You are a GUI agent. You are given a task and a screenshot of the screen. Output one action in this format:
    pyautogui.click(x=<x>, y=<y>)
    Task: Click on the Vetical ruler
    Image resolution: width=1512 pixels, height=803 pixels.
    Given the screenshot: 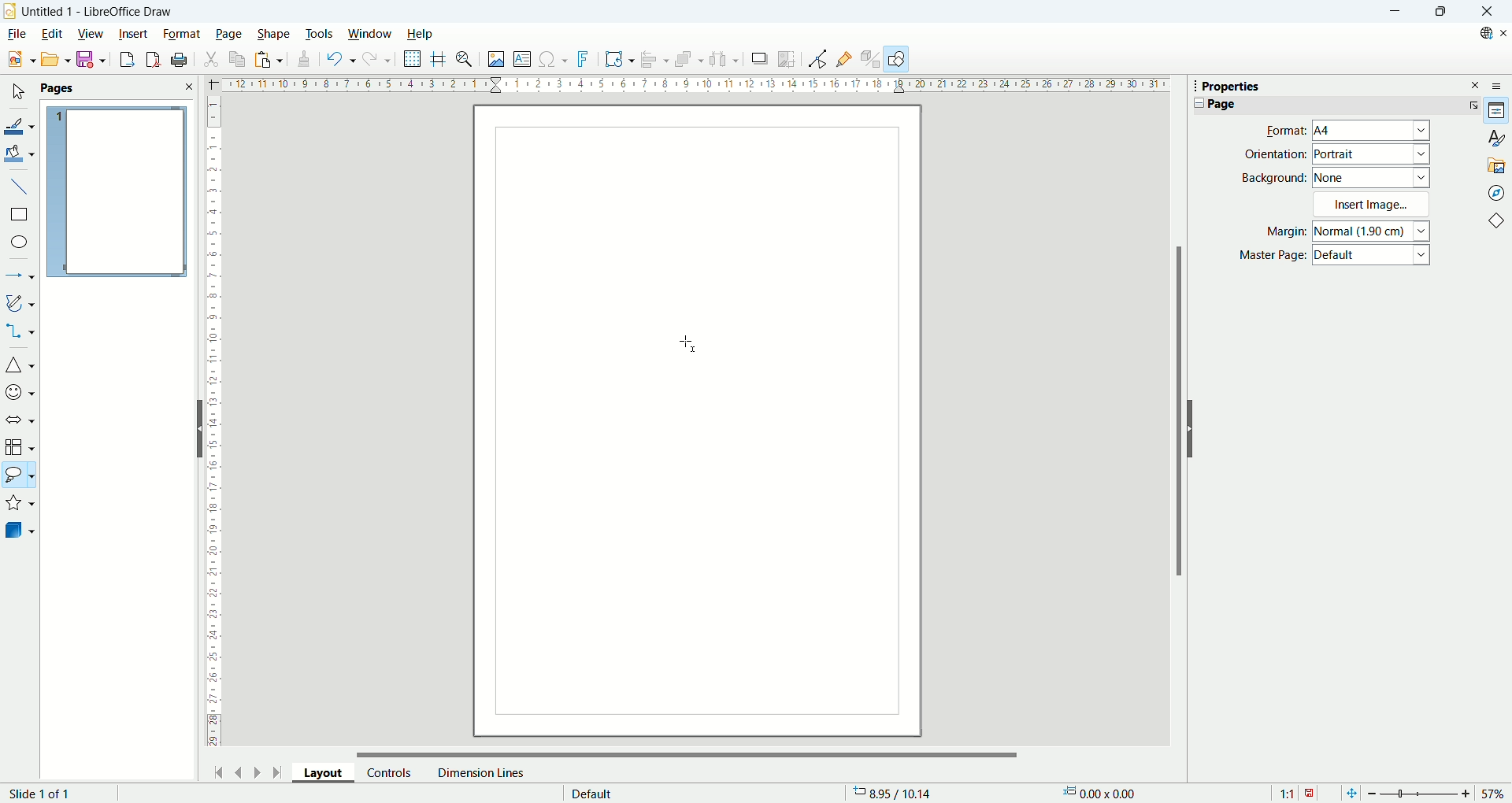 What is the action you would take?
    pyautogui.click(x=214, y=425)
    